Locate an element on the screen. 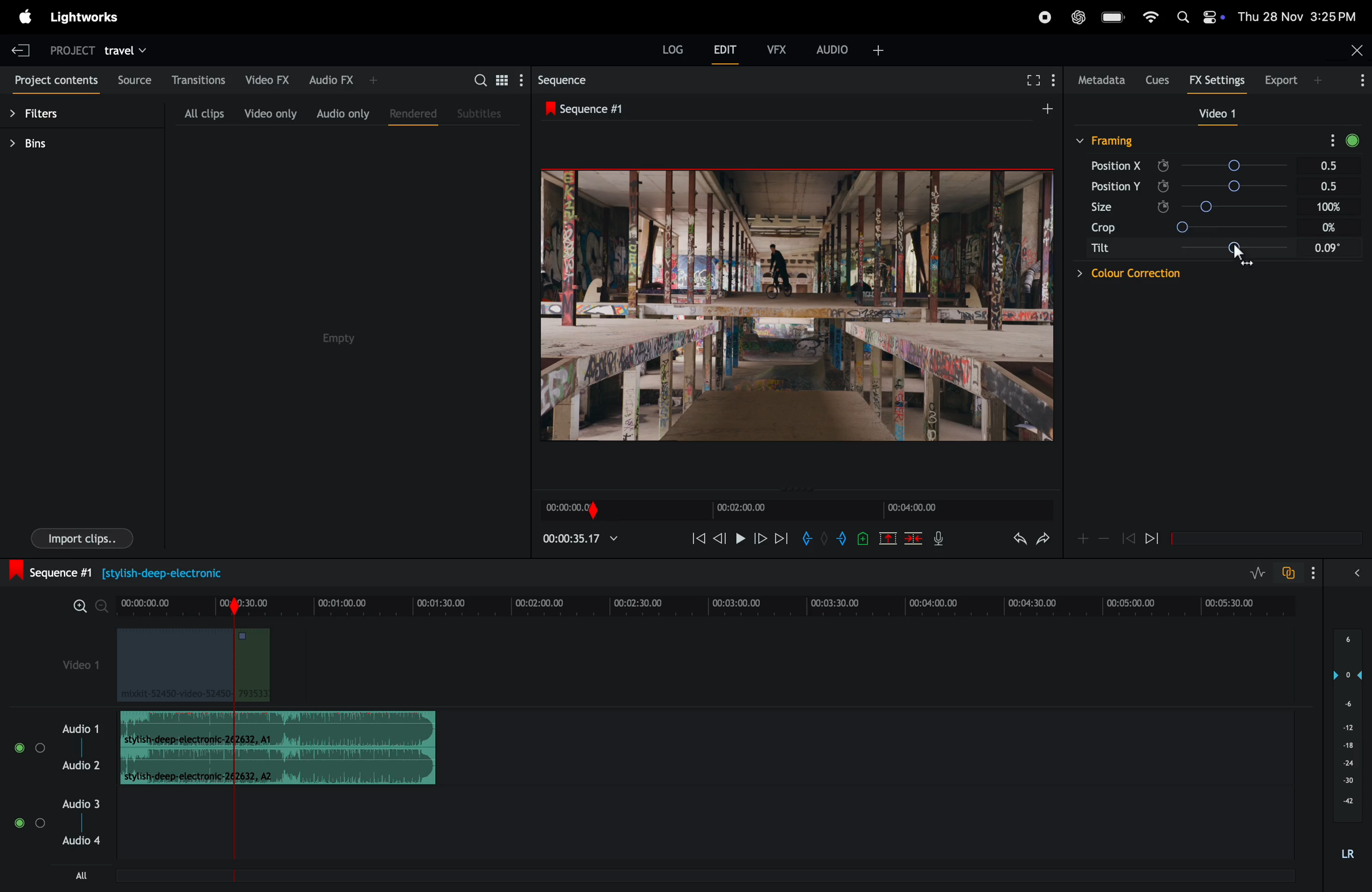  bins is located at coordinates (46, 143).